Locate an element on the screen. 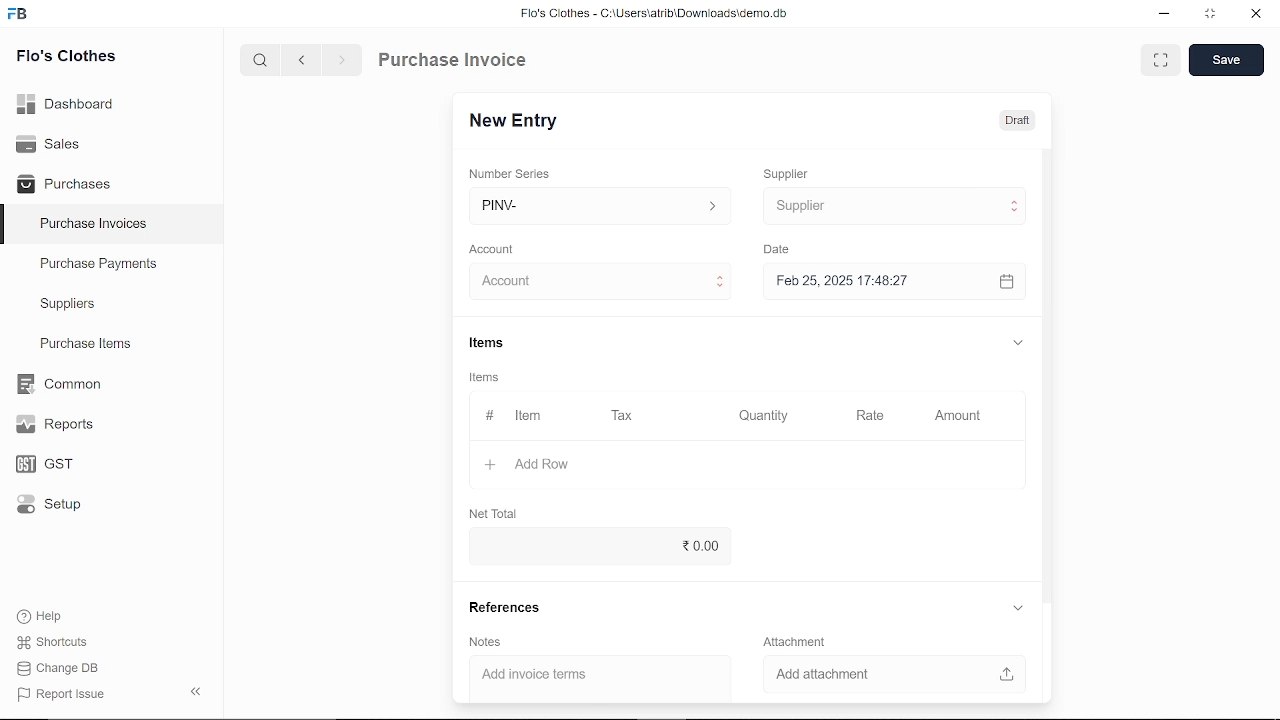  vertical scrollbar is located at coordinates (1047, 373).